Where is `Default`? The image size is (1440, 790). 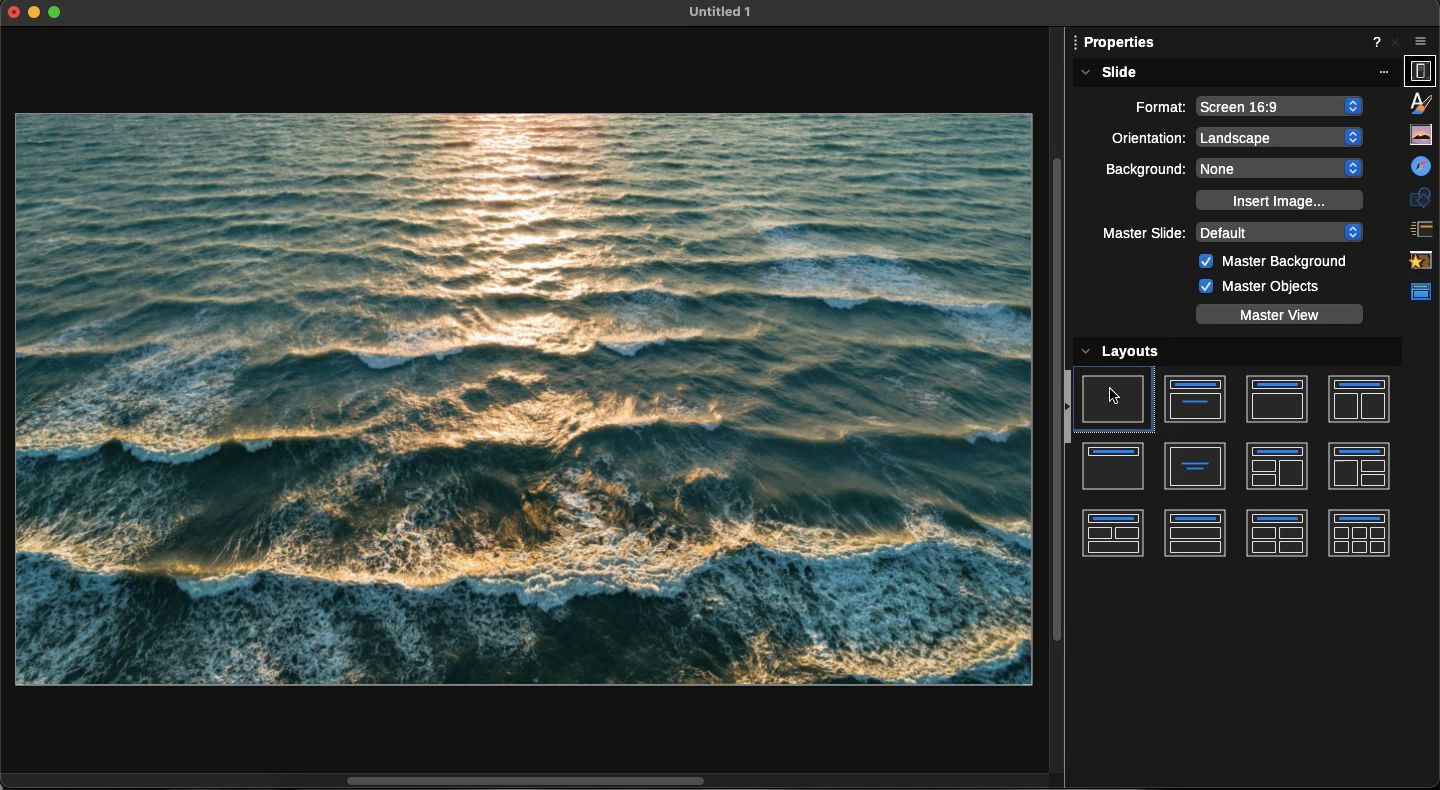
Default is located at coordinates (1280, 232).